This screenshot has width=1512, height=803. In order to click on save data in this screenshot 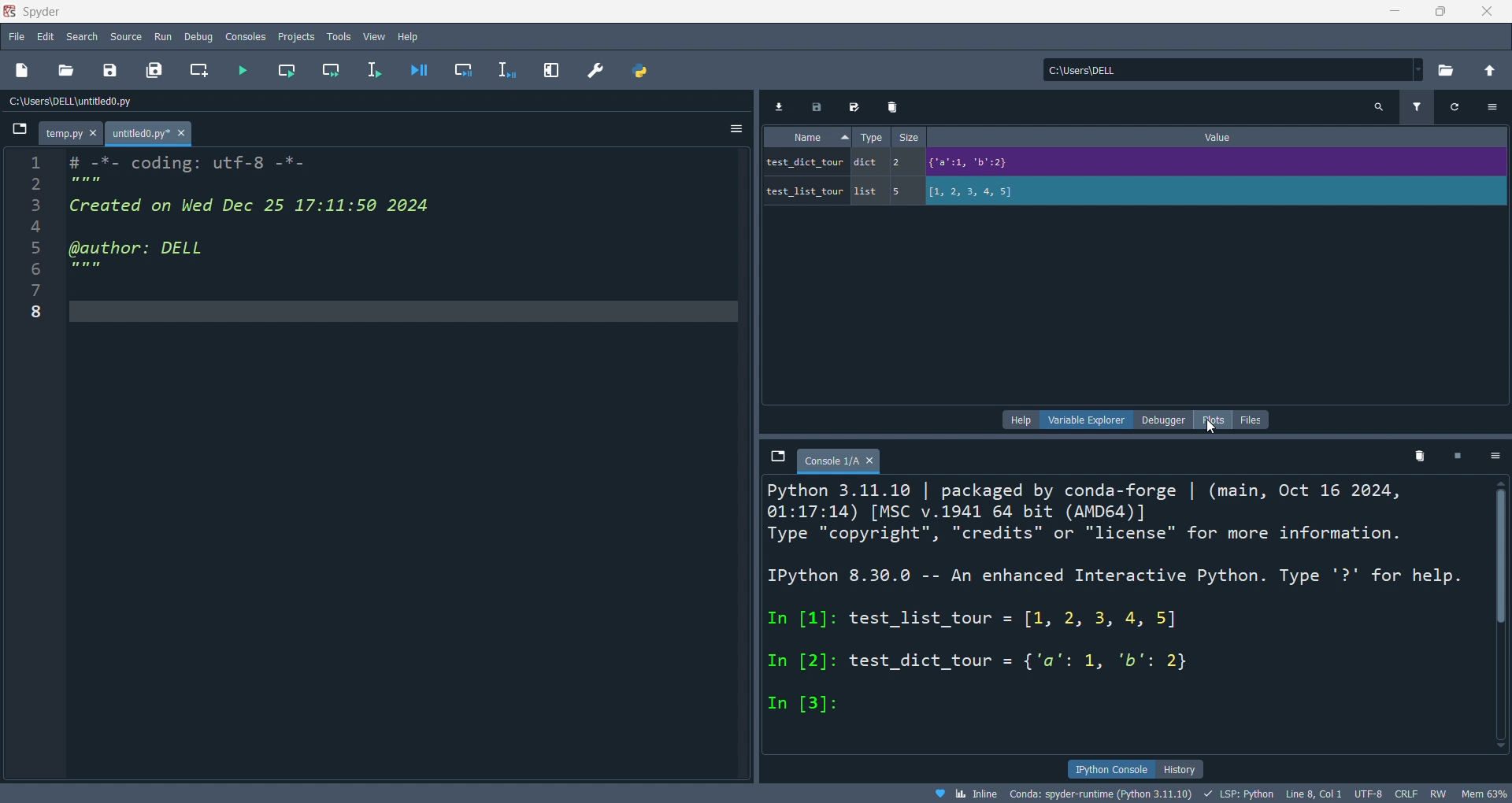, I will do `click(817, 105)`.